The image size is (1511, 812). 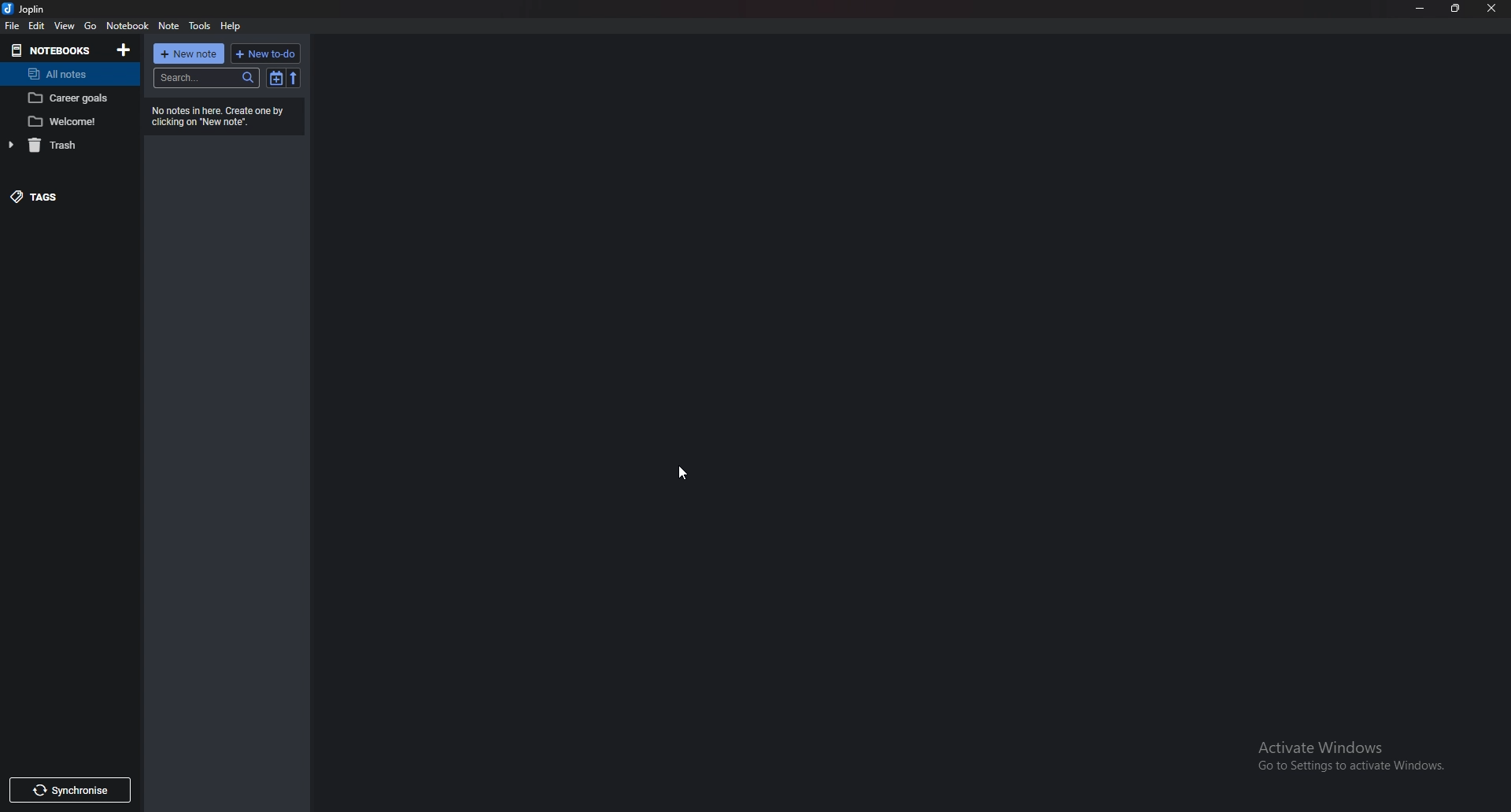 What do you see at coordinates (54, 50) in the screenshot?
I see `note books` at bounding box center [54, 50].